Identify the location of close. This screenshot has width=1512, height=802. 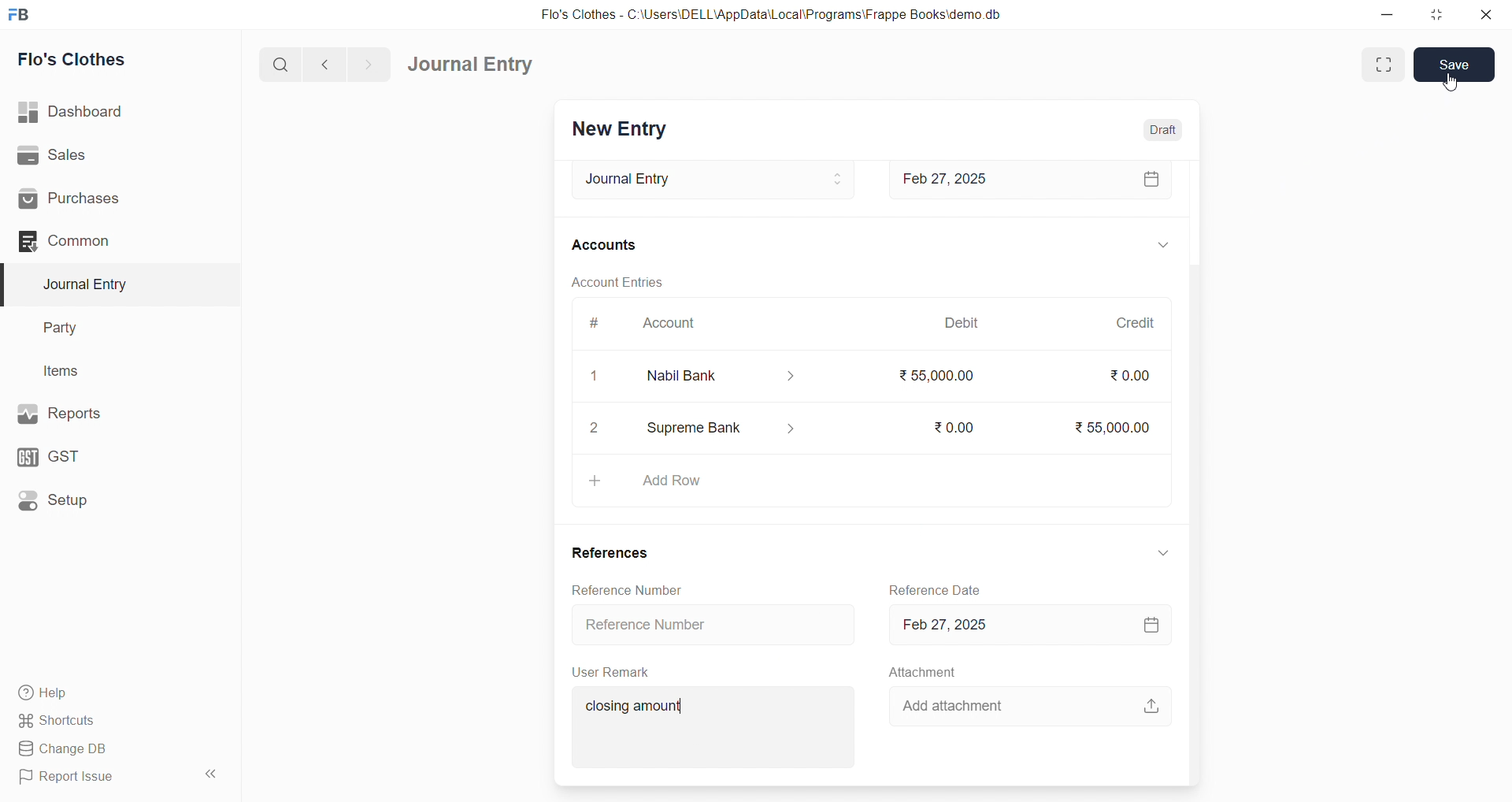
(1488, 14).